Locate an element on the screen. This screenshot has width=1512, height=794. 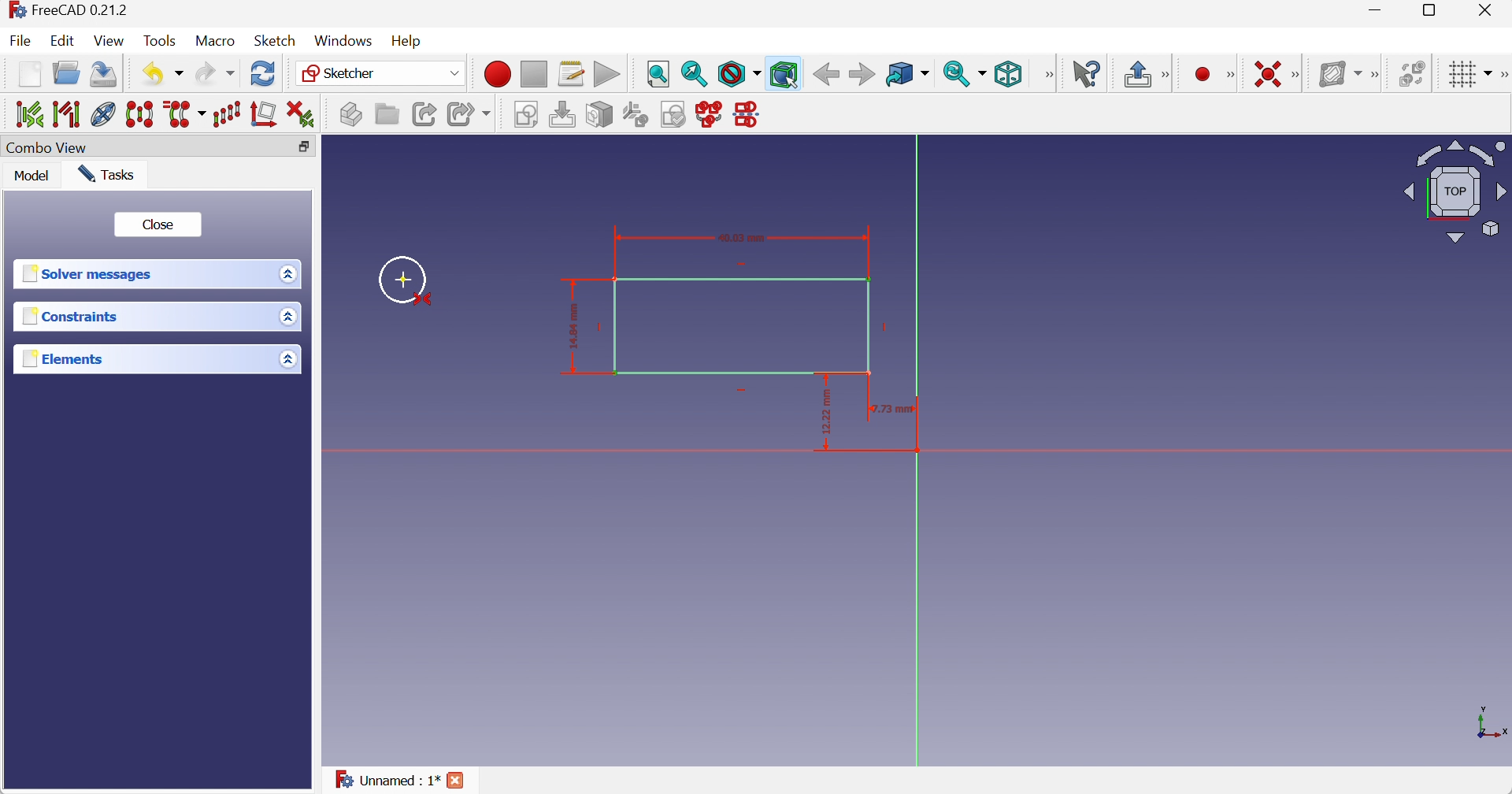
Refresh is located at coordinates (264, 72).